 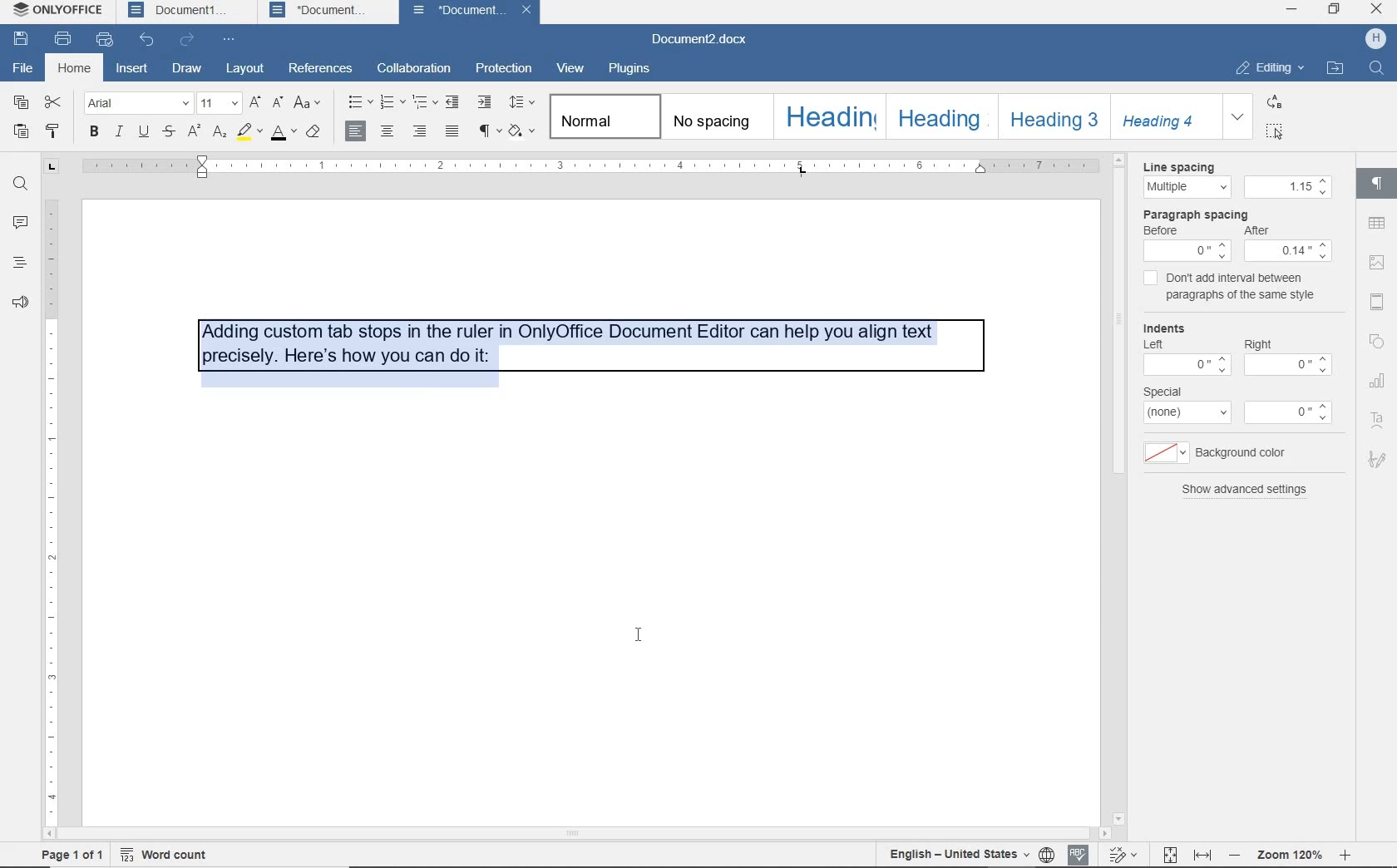 I want to click on undo, so click(x=147, y=42).